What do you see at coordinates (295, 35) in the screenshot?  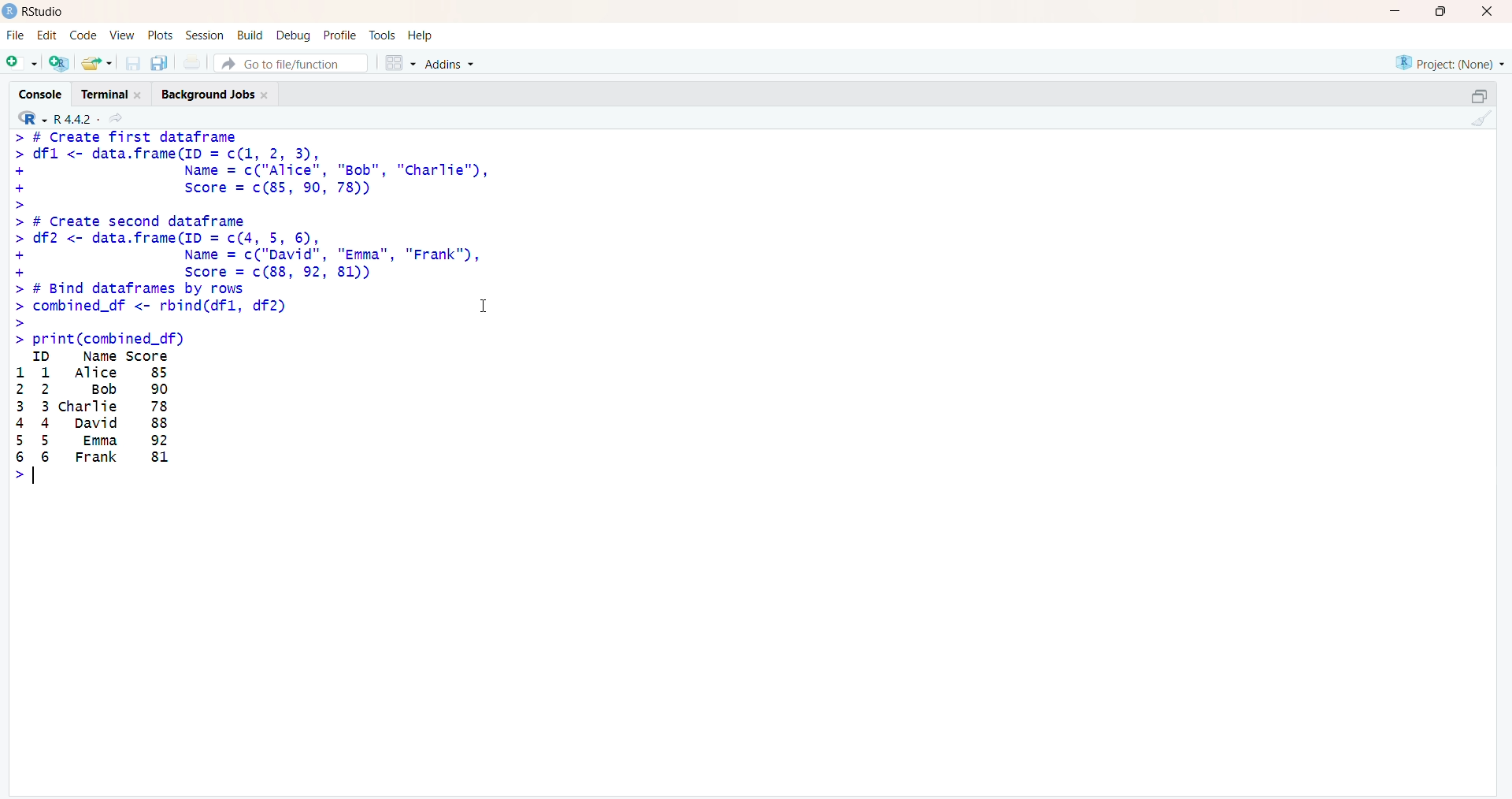 I see `Debug` at bounding box center [295, 35].